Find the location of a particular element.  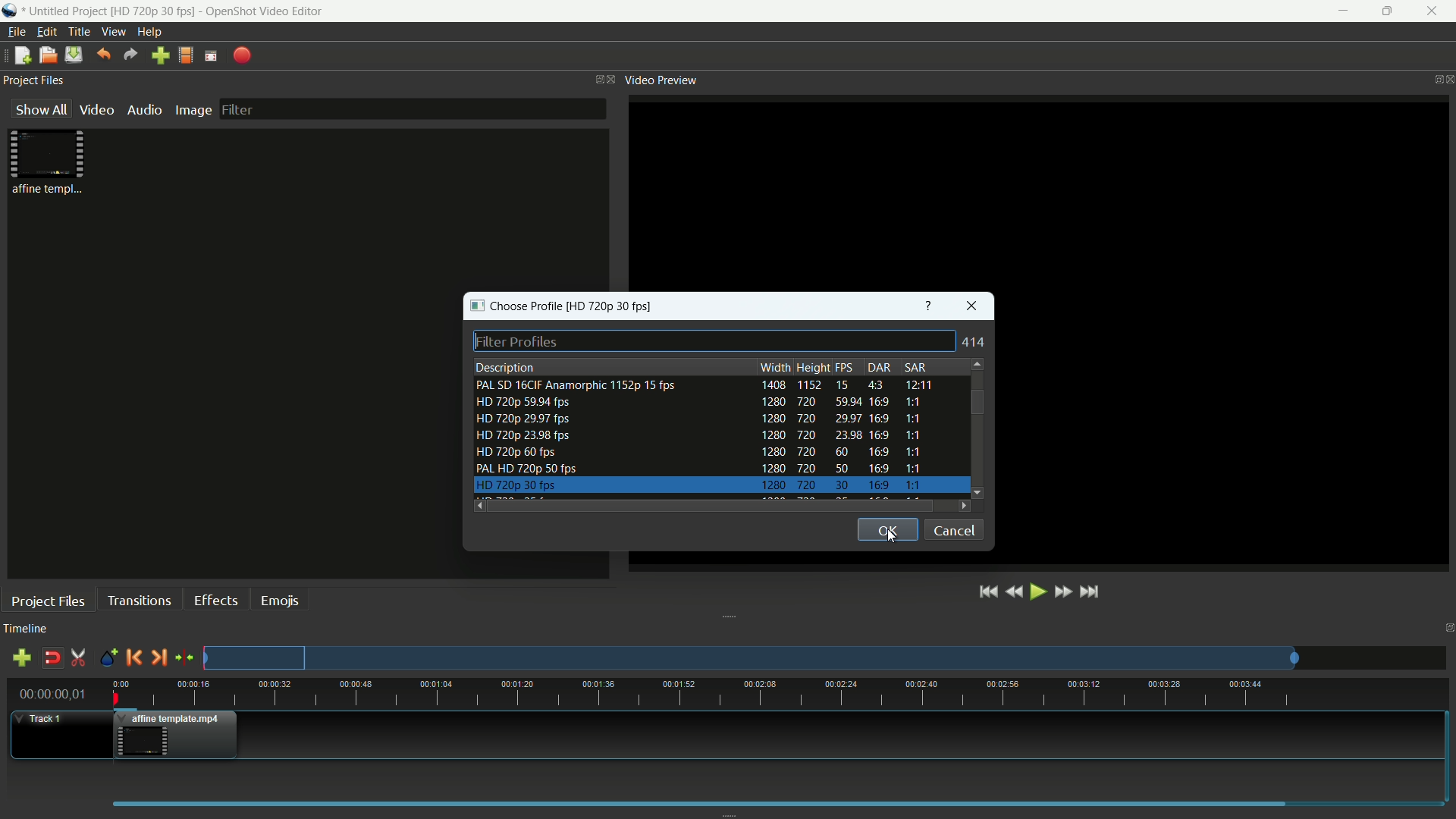

effects is located at coordinates (215, 600).